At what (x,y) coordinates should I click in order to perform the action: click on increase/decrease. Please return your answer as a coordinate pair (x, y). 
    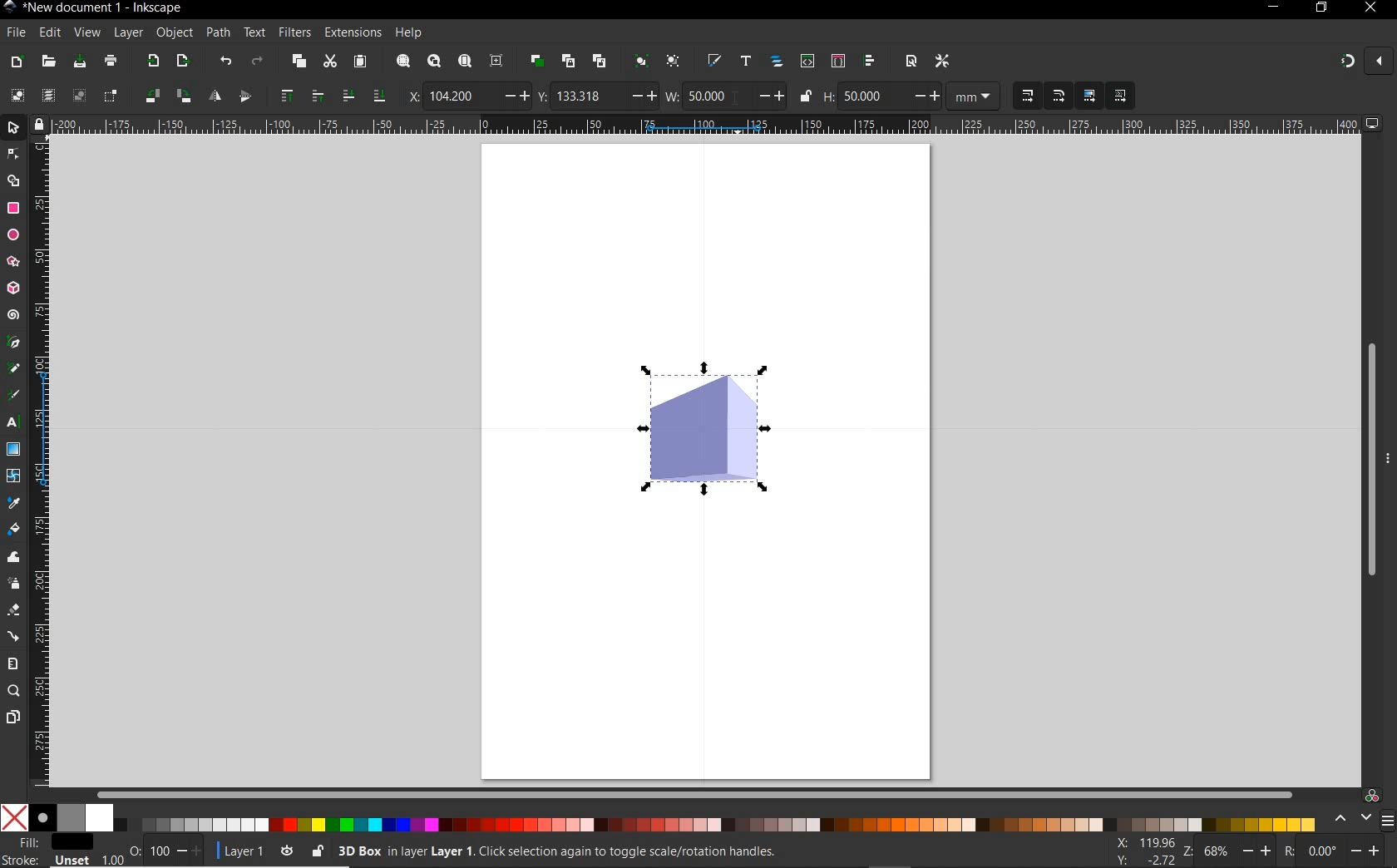
    Looking at the image, I should click on (1366, 851).